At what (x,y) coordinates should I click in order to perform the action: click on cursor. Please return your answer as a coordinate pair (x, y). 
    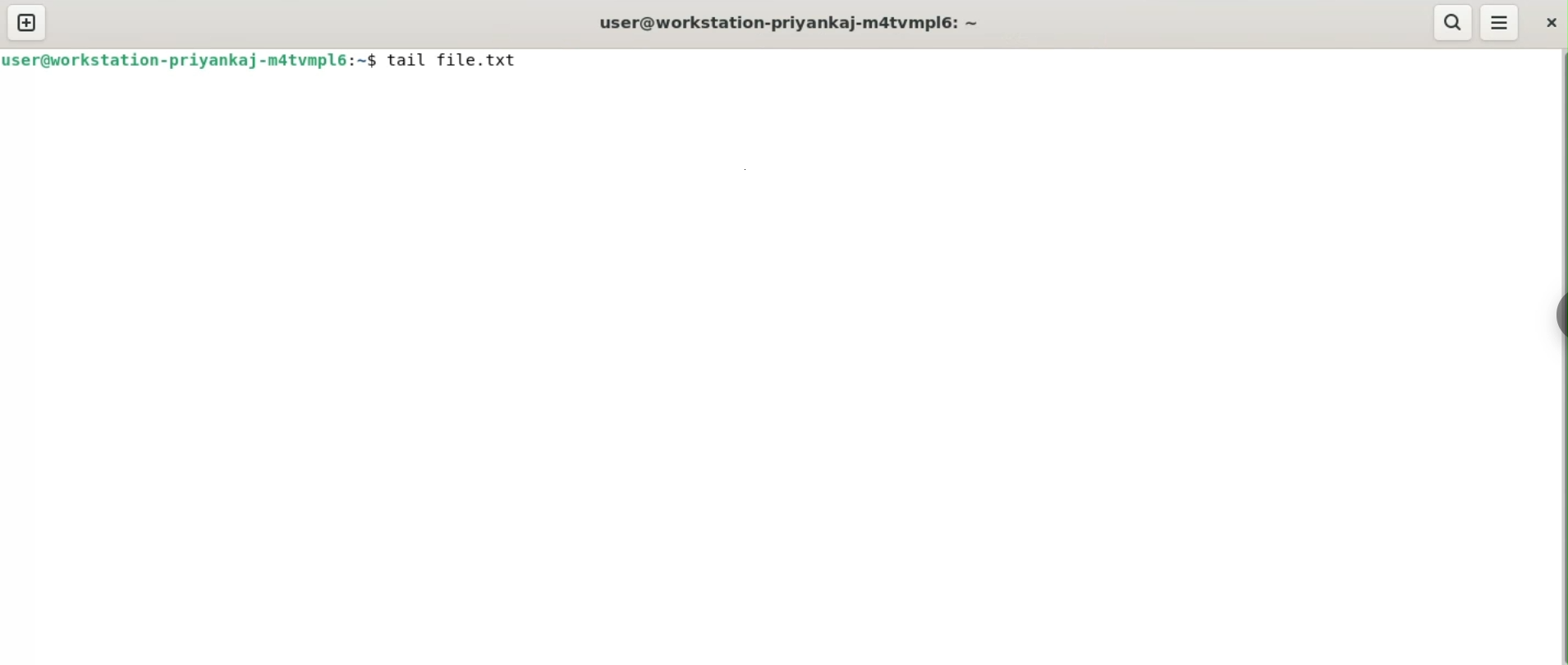
    Looking at the image, I should click on (528, 62).